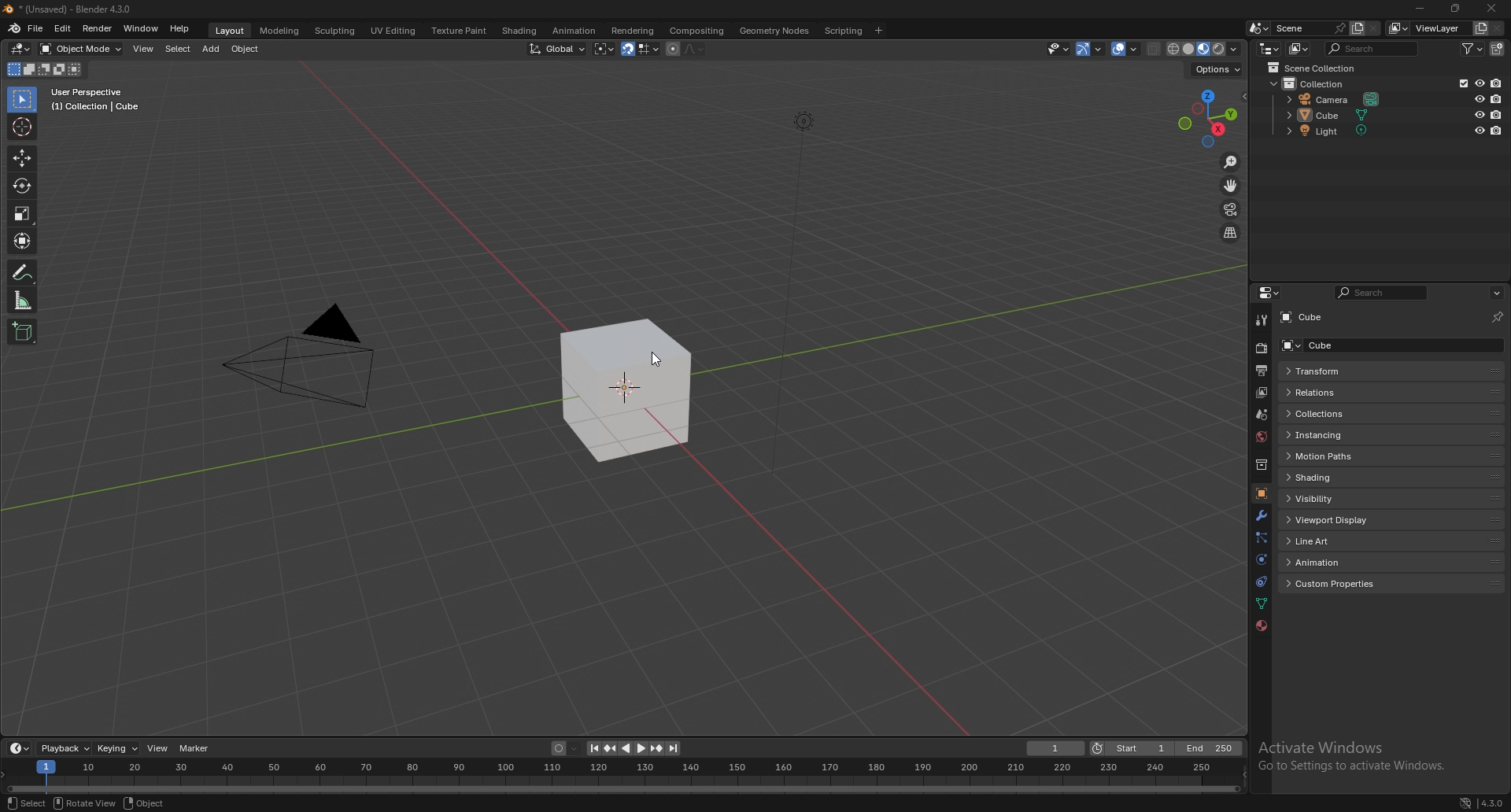  I want to click on particles, so click(1262, 537).